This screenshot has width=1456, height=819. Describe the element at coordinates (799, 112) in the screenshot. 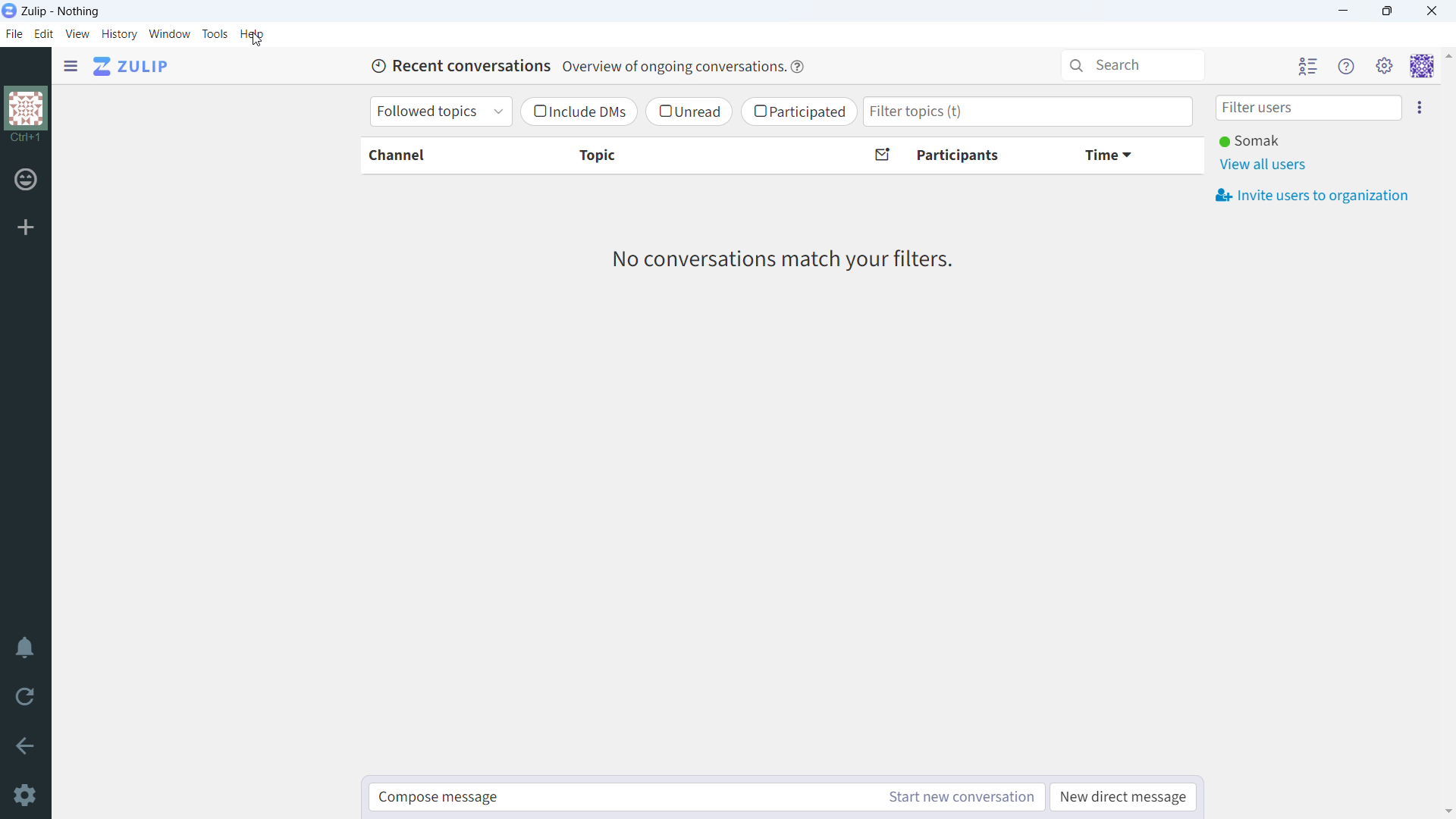

I see `participated` at that location.